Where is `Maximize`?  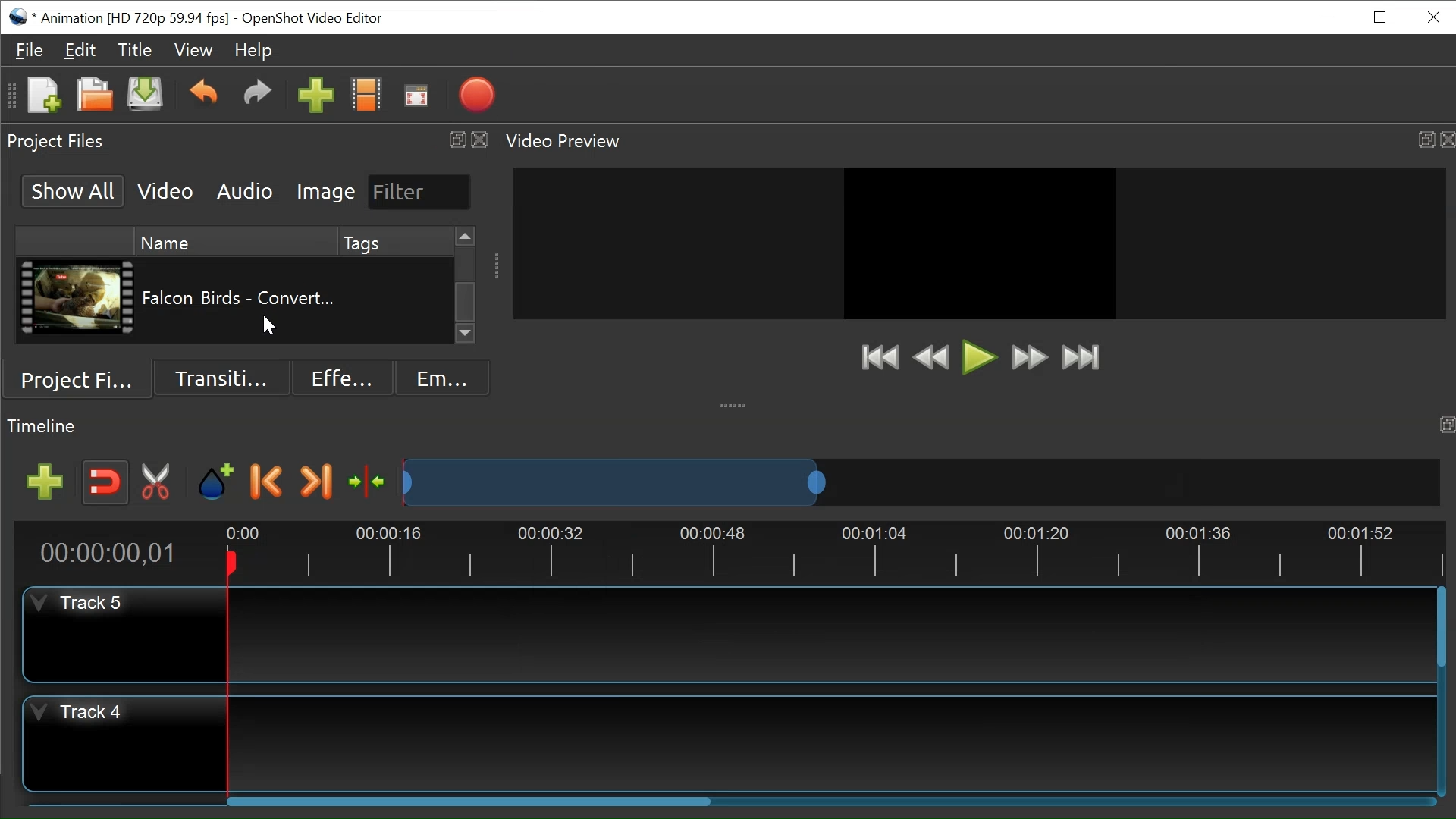 Maximize is located at coordinates (1426, 140).